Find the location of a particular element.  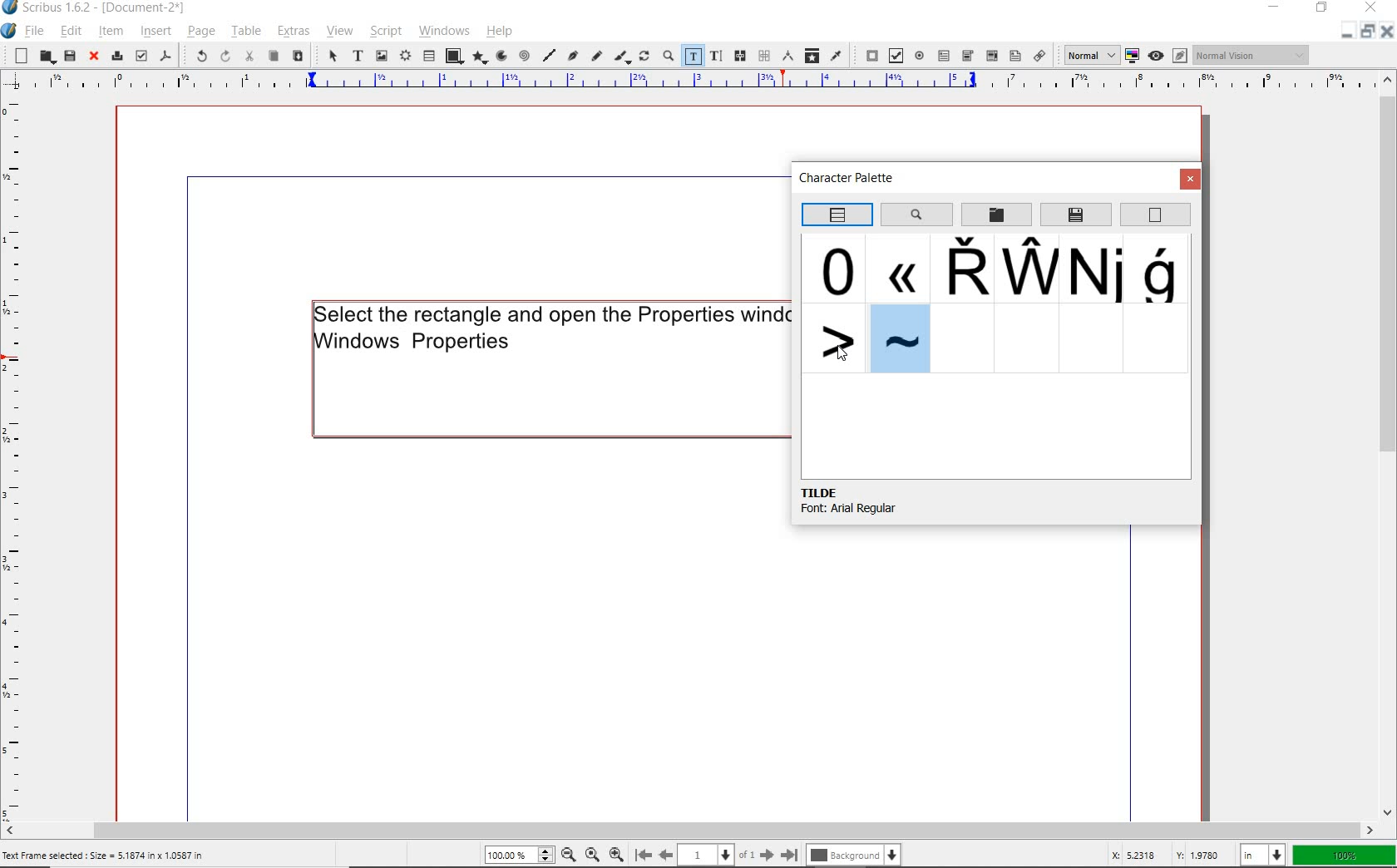

load a character palette is located at coordinates (996, 215).